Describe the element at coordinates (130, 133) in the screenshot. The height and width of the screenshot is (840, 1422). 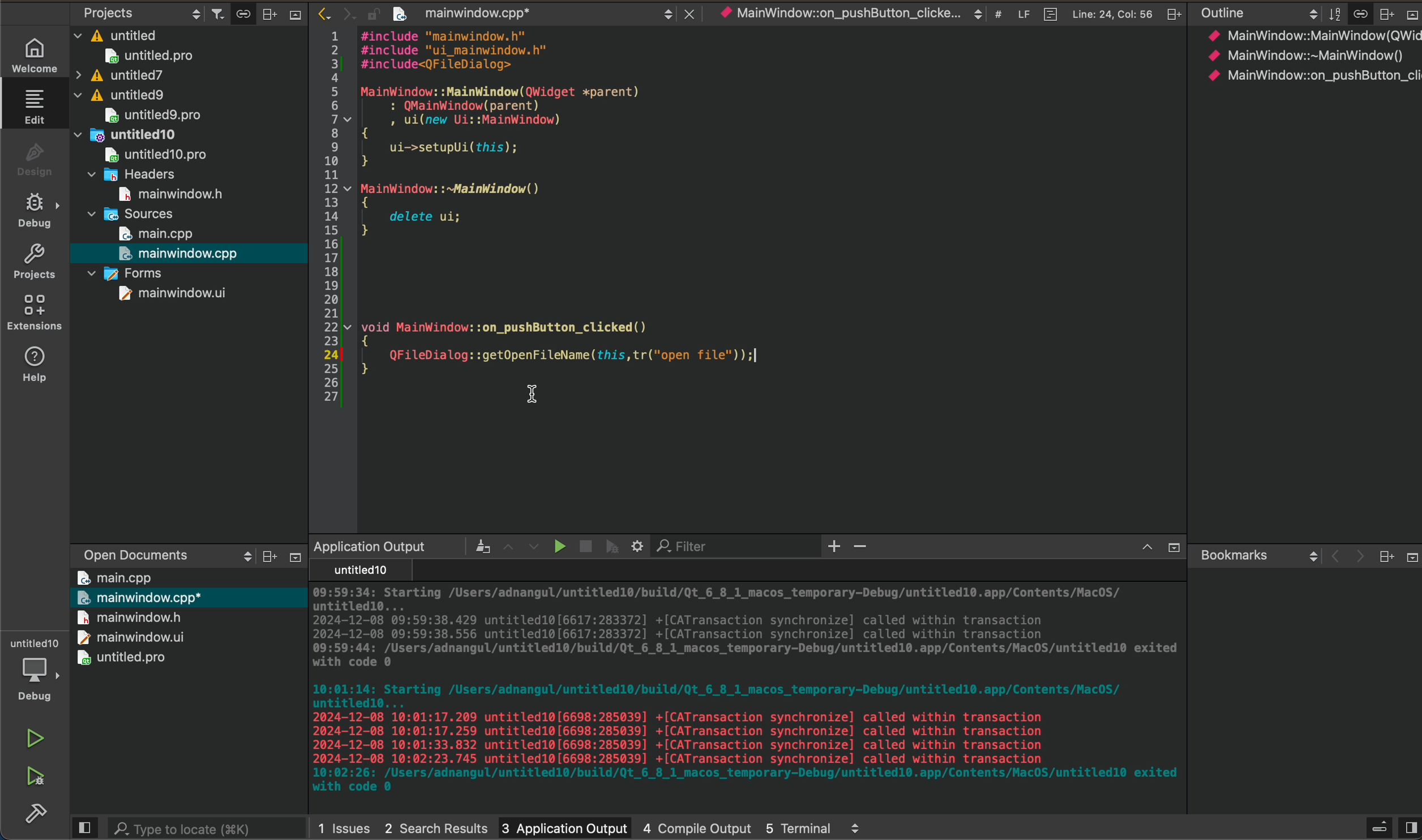
I see `untitled10` at that location.